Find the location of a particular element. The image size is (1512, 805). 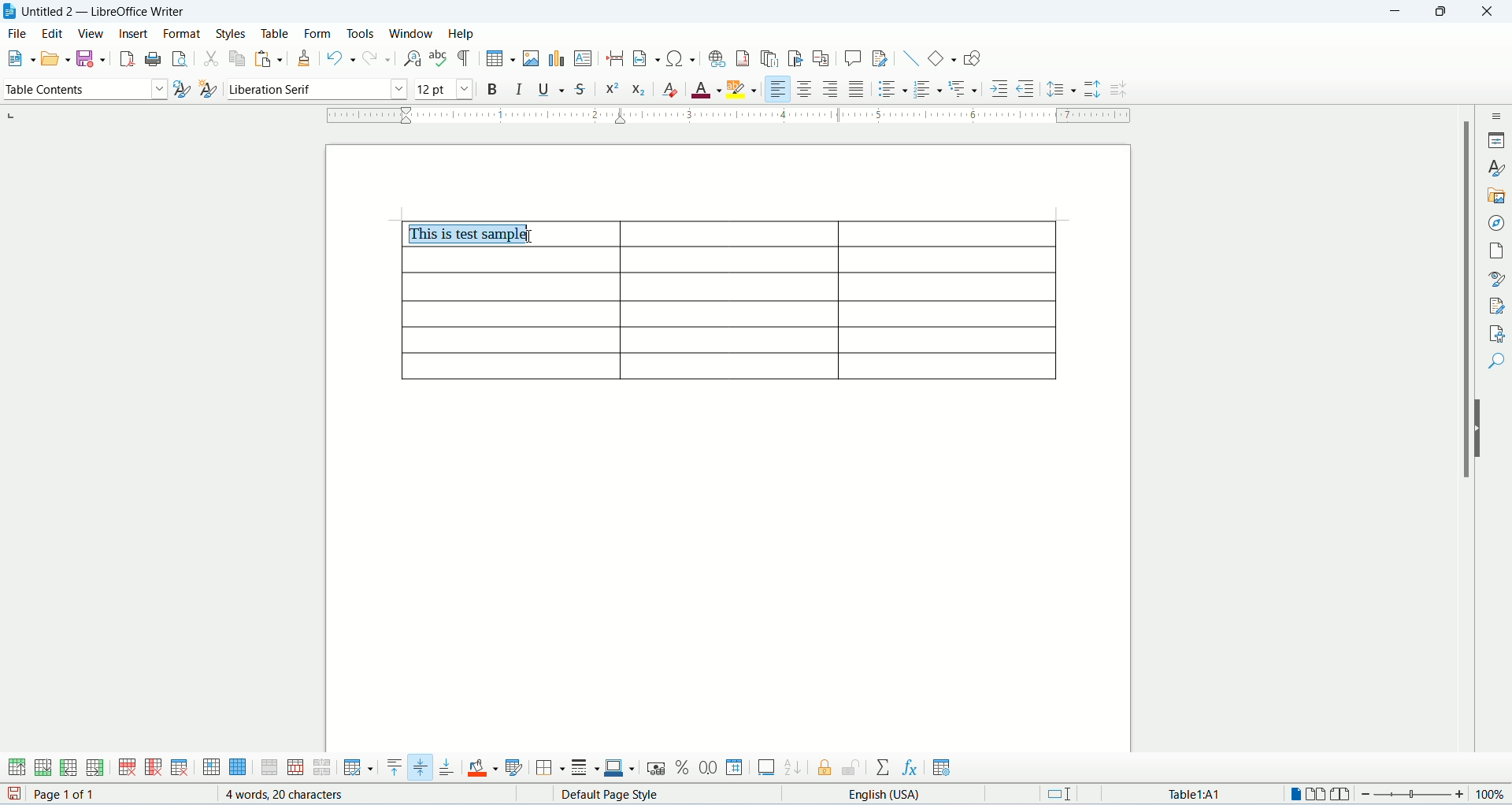

format is located at coordinates (184, 33).